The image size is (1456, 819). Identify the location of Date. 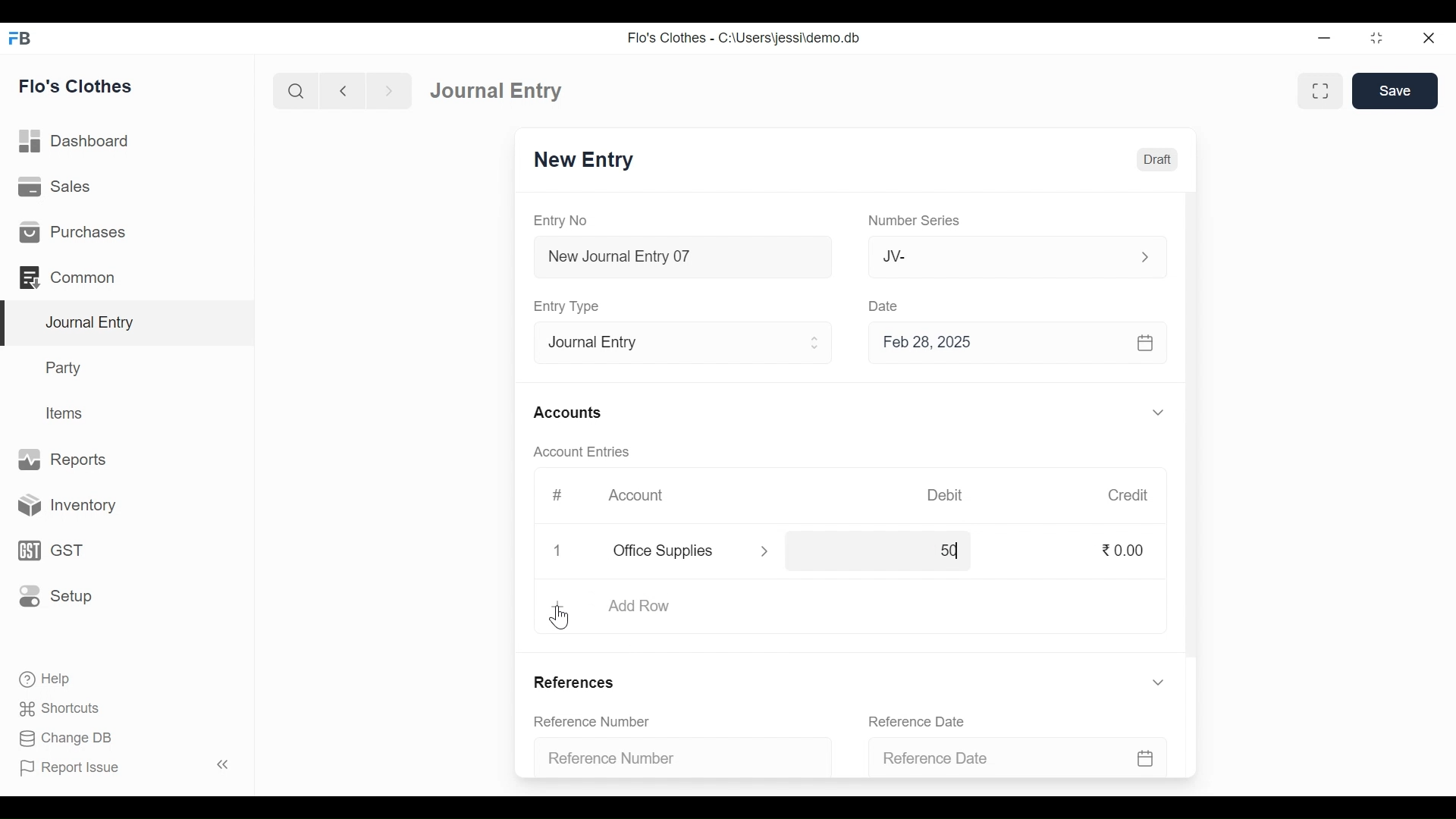
(888, 307).